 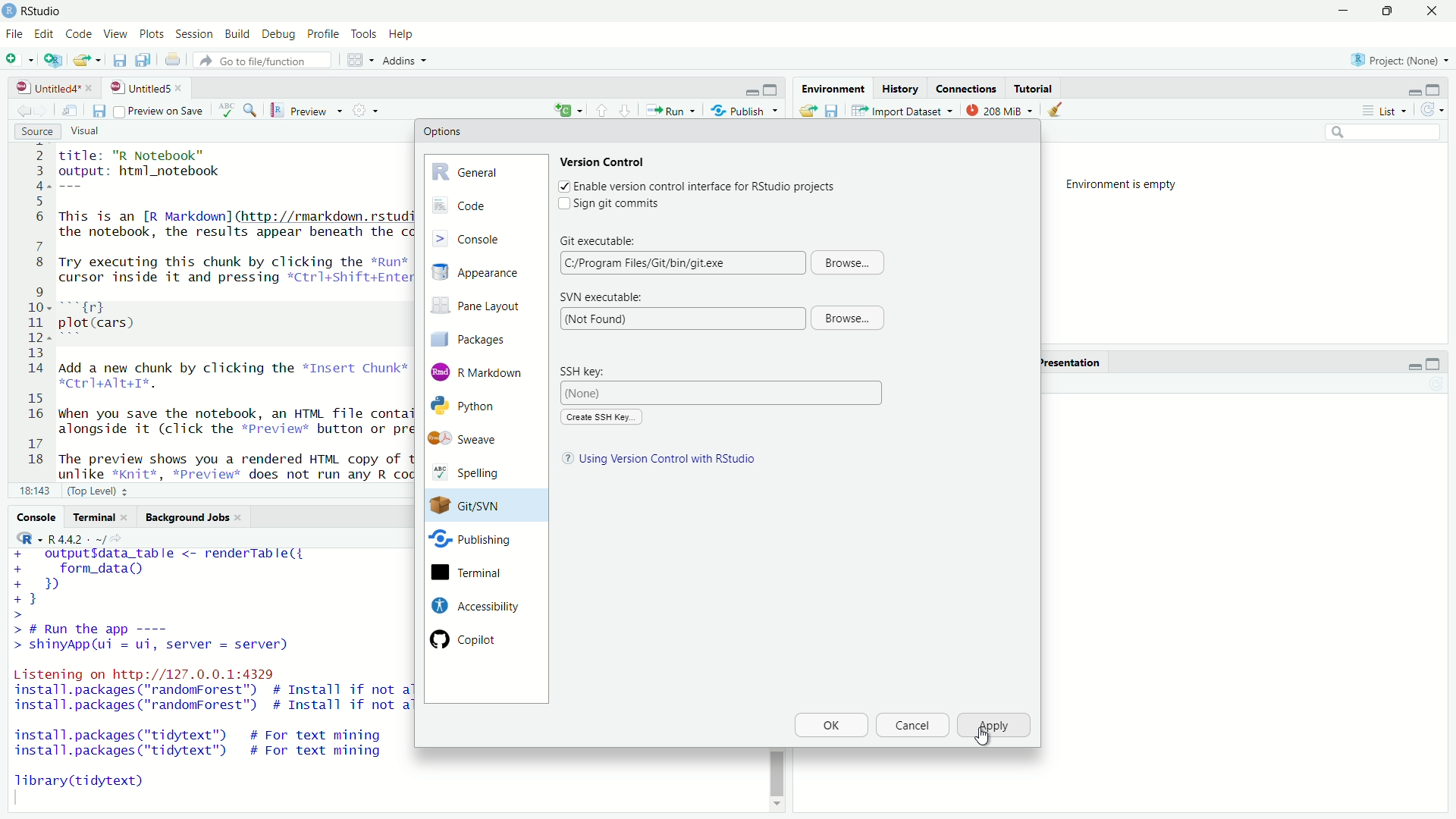 I want to click on Create SSH Key..., so click(x=601, y=417).